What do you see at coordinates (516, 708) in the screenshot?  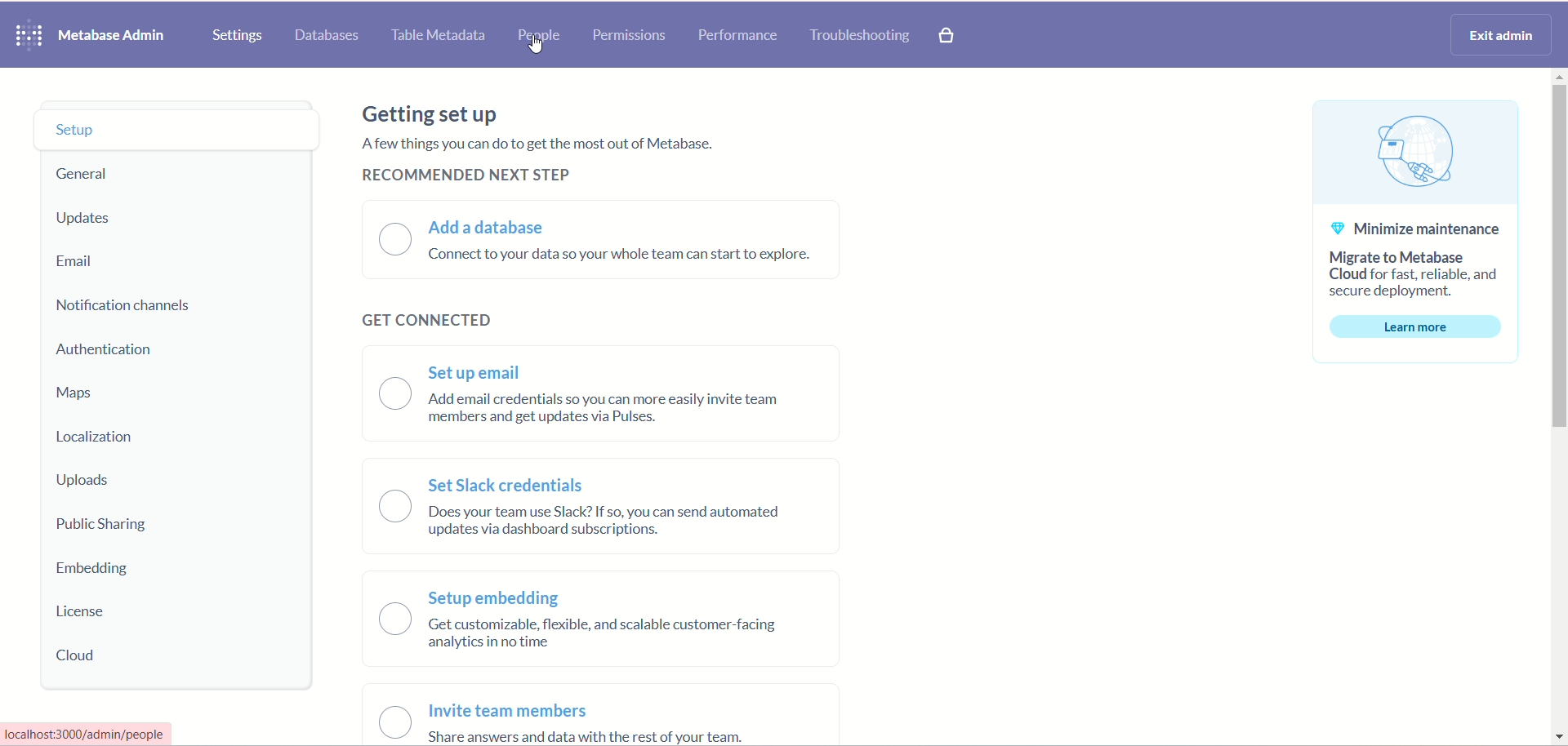 I see `invite team members` at bounding box center [516, 708].